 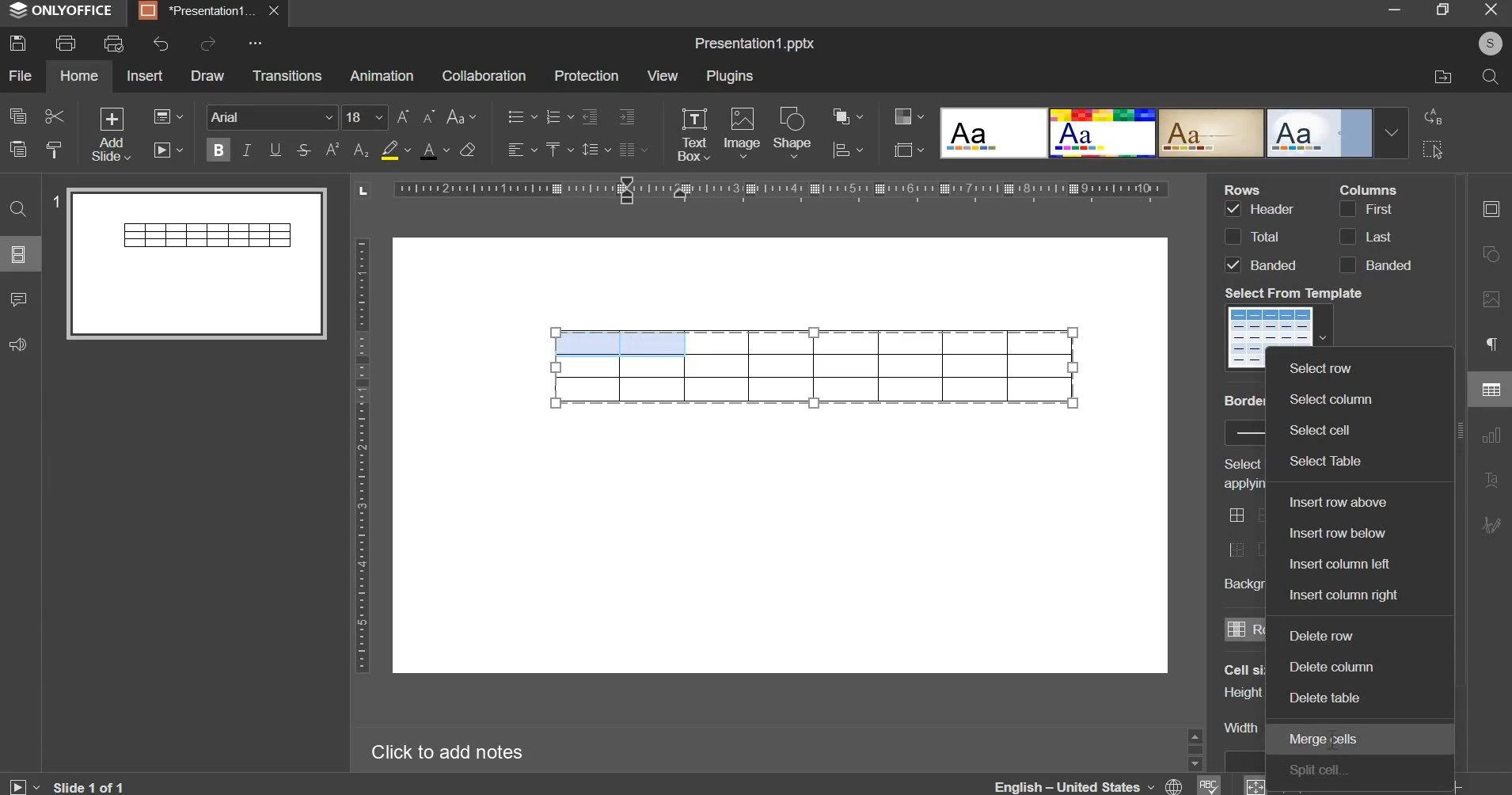 What do you see at coordinates (64, 11) in the screenshot?
I see `ONLYOFFICE ` at bounding box center [64, 11].